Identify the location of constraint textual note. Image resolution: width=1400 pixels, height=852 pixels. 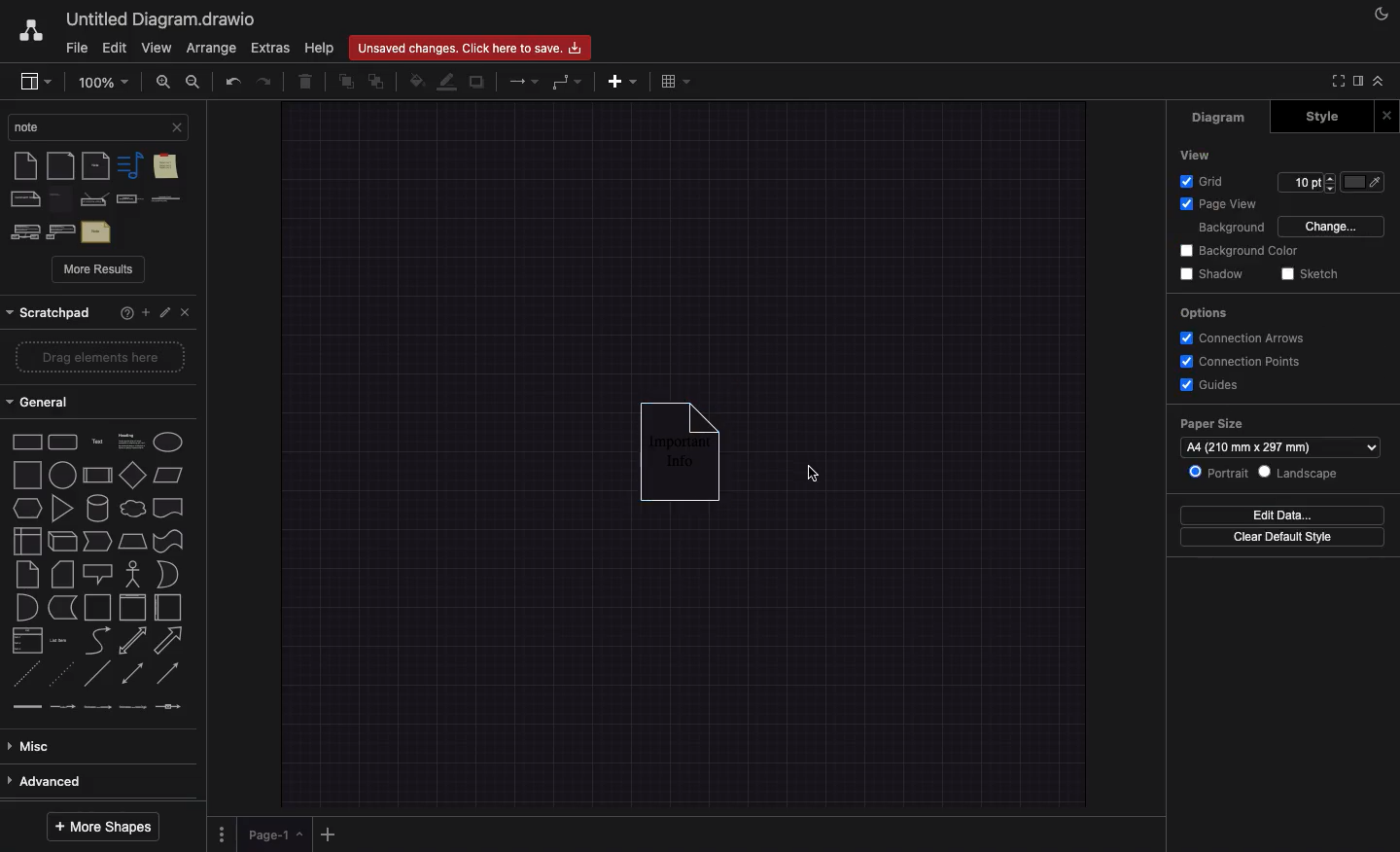
(165, 199).